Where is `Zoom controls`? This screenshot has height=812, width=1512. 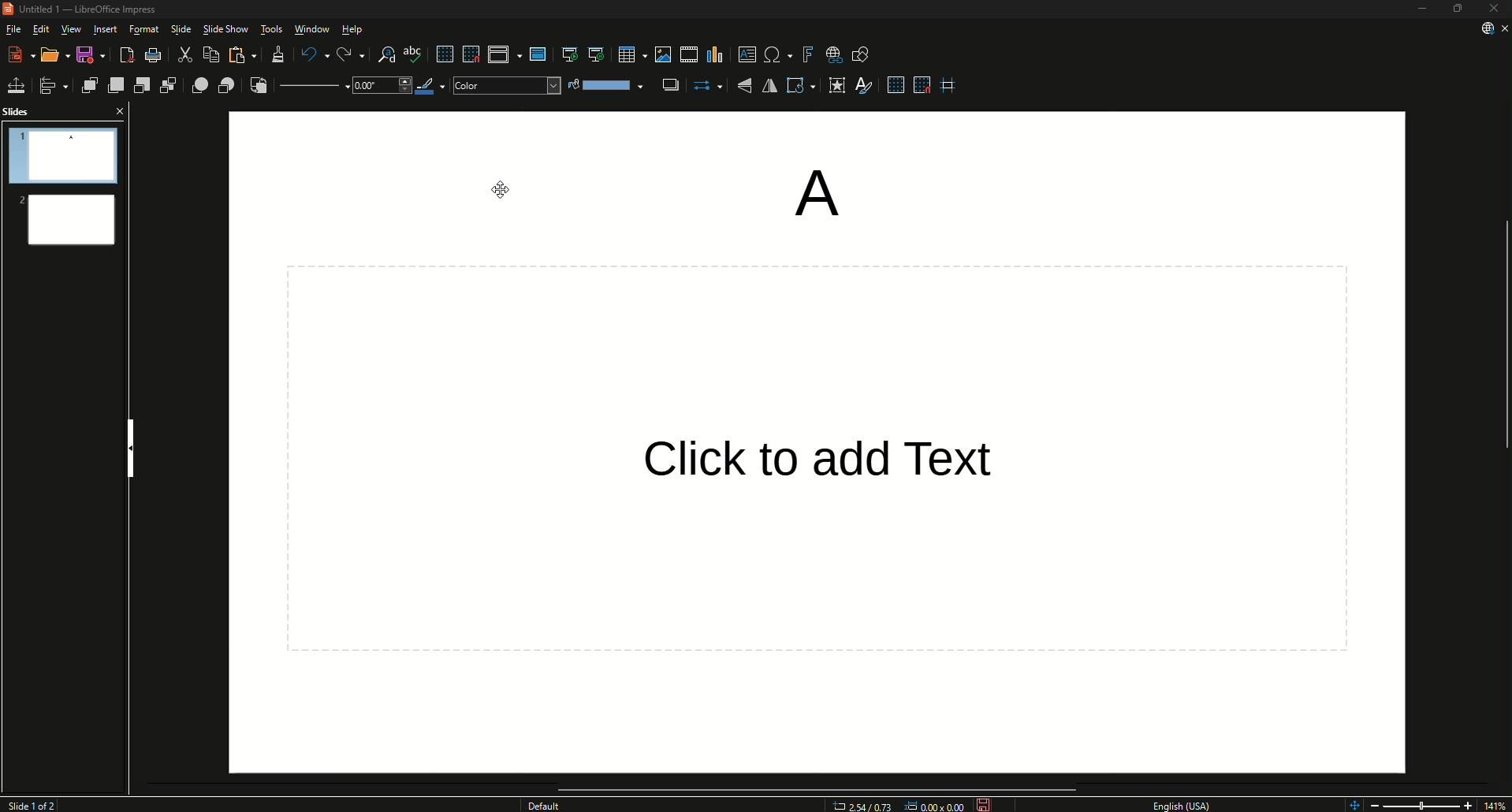
Zoom controls is located at coordinates (1351, 802).